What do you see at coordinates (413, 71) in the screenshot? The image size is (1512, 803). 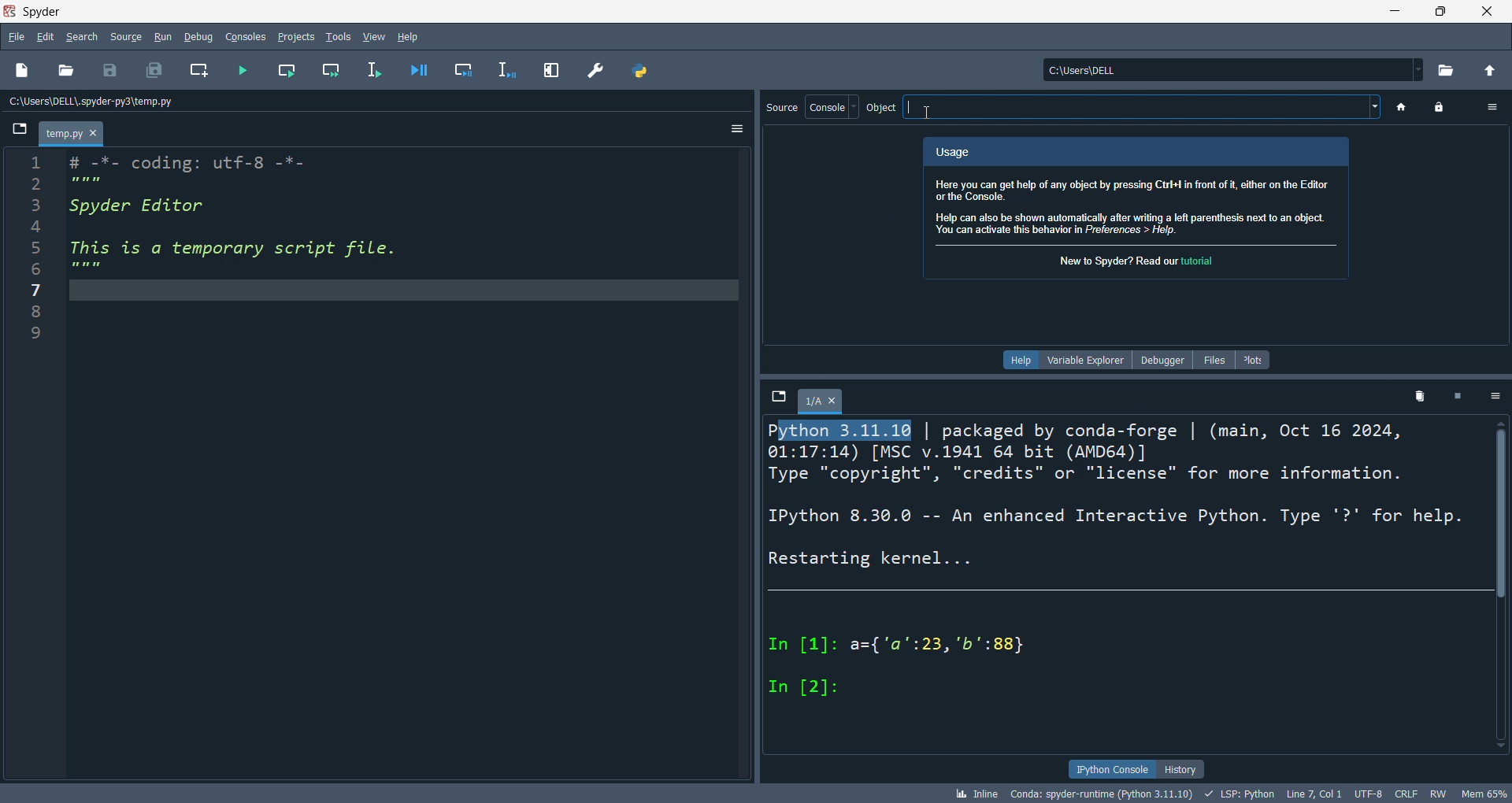 I see `debug file` at bounding box center [413, 71].